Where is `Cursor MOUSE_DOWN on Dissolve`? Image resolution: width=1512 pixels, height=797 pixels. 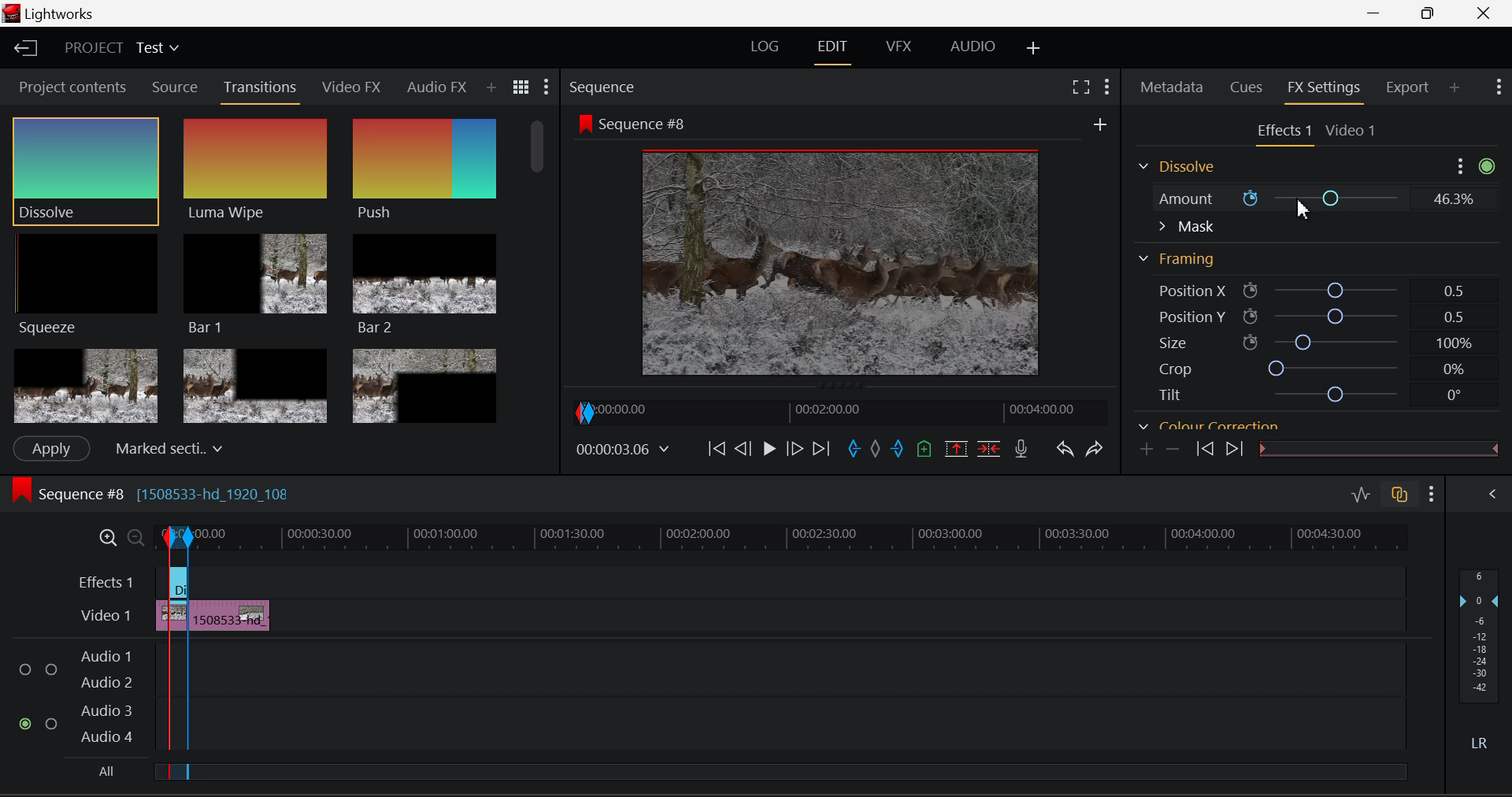 Cursor MOUSE_DOWN on Dissolve is located at coordinates (87, 170).